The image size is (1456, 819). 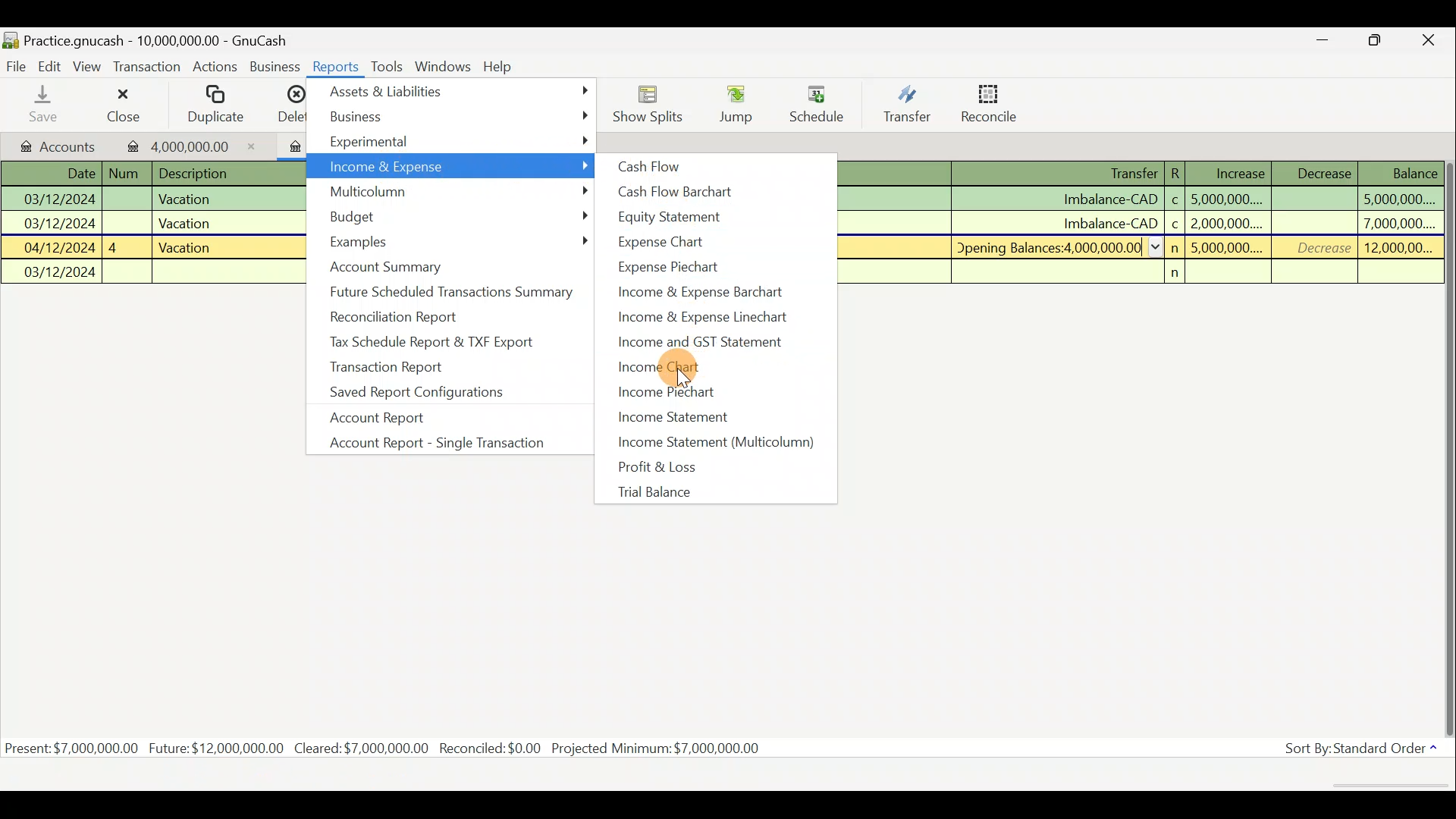 I want to click on Num, so click(x=126, y=174).